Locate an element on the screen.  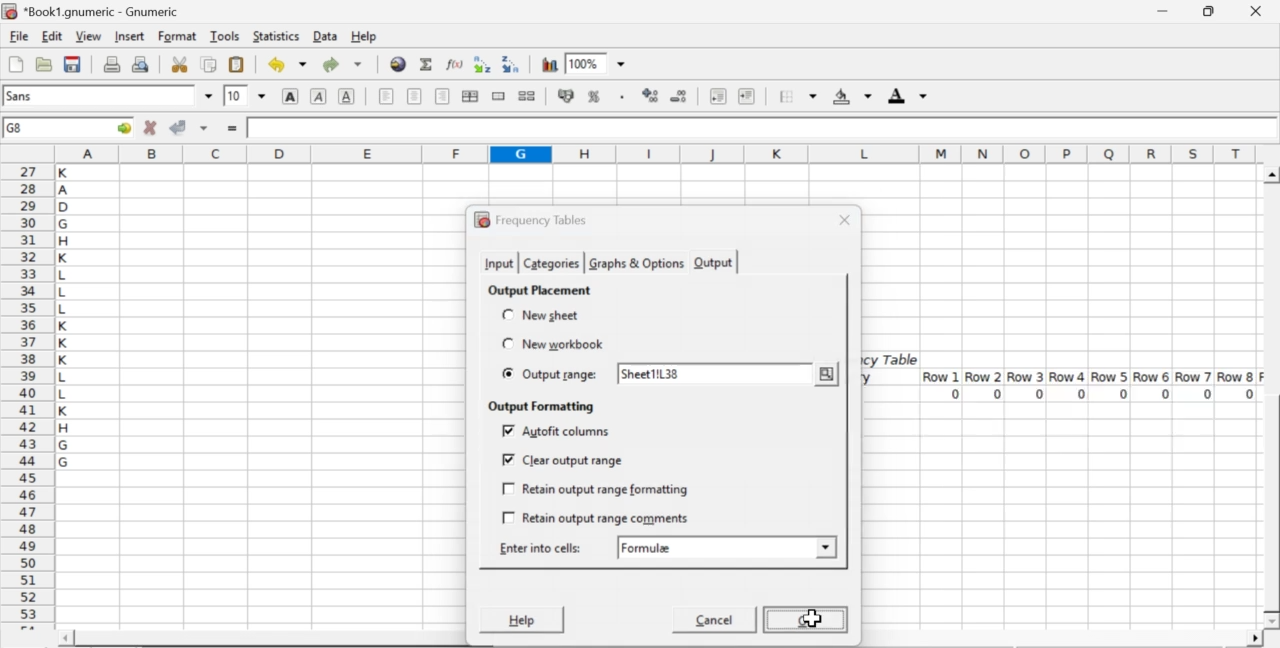
retain output range comments is located at coordinates (596, 517).